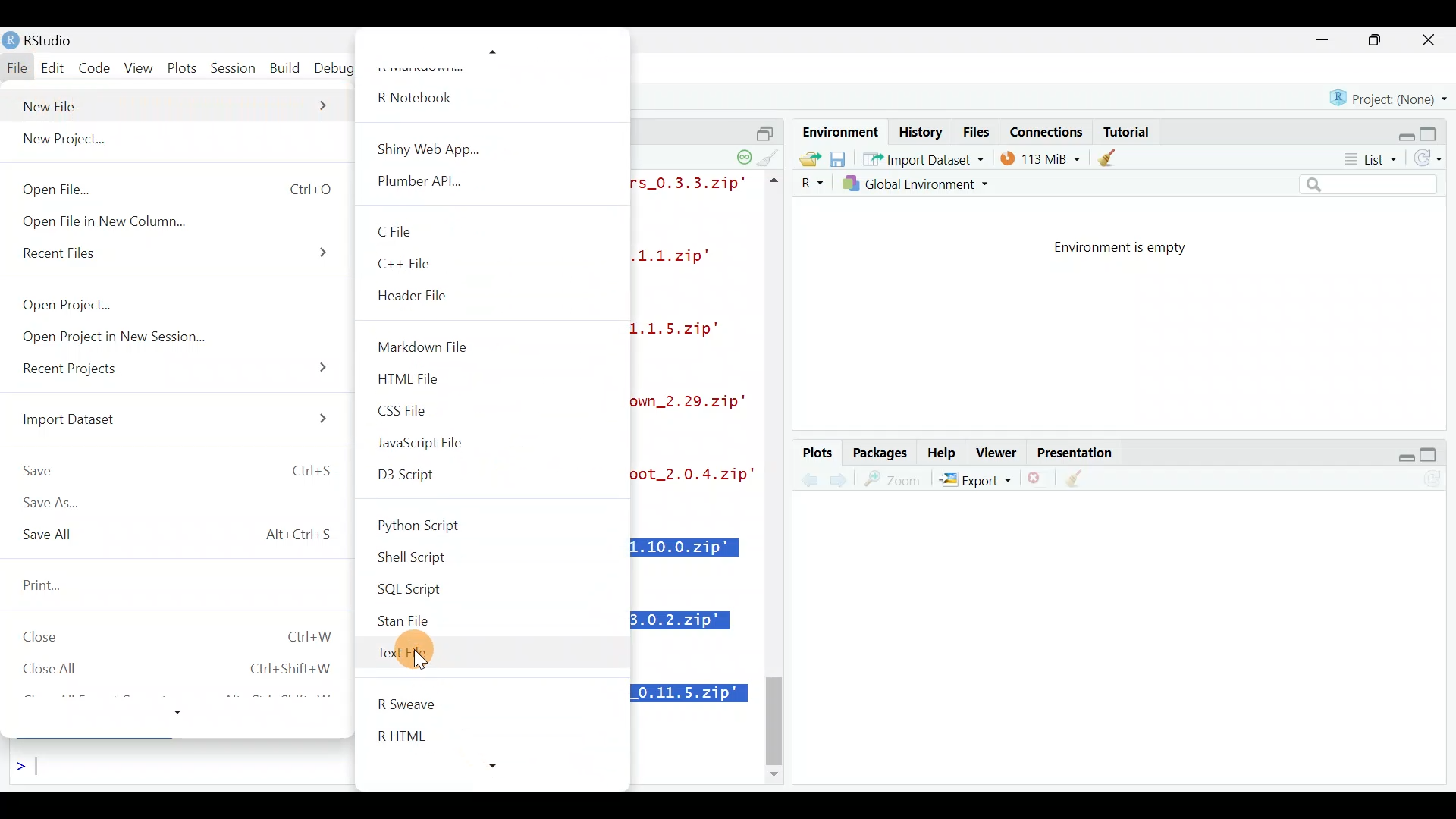 The height and width of the screenshot is (819, 1456). What do you see at coordinates (1369, 160) in the screenshot?
I see `List` at bounding box center [1369, 160].